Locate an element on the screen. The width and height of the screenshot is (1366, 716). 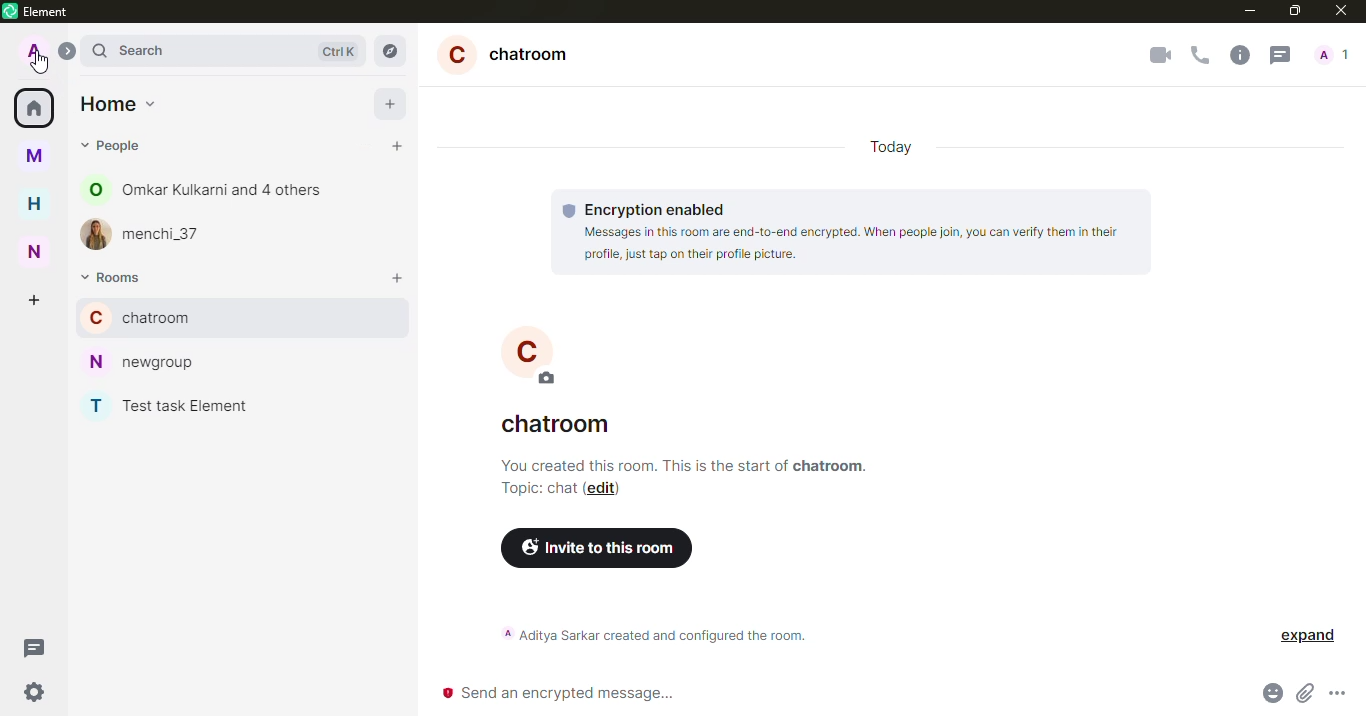
newgroup is located at coordinates (145, 362).